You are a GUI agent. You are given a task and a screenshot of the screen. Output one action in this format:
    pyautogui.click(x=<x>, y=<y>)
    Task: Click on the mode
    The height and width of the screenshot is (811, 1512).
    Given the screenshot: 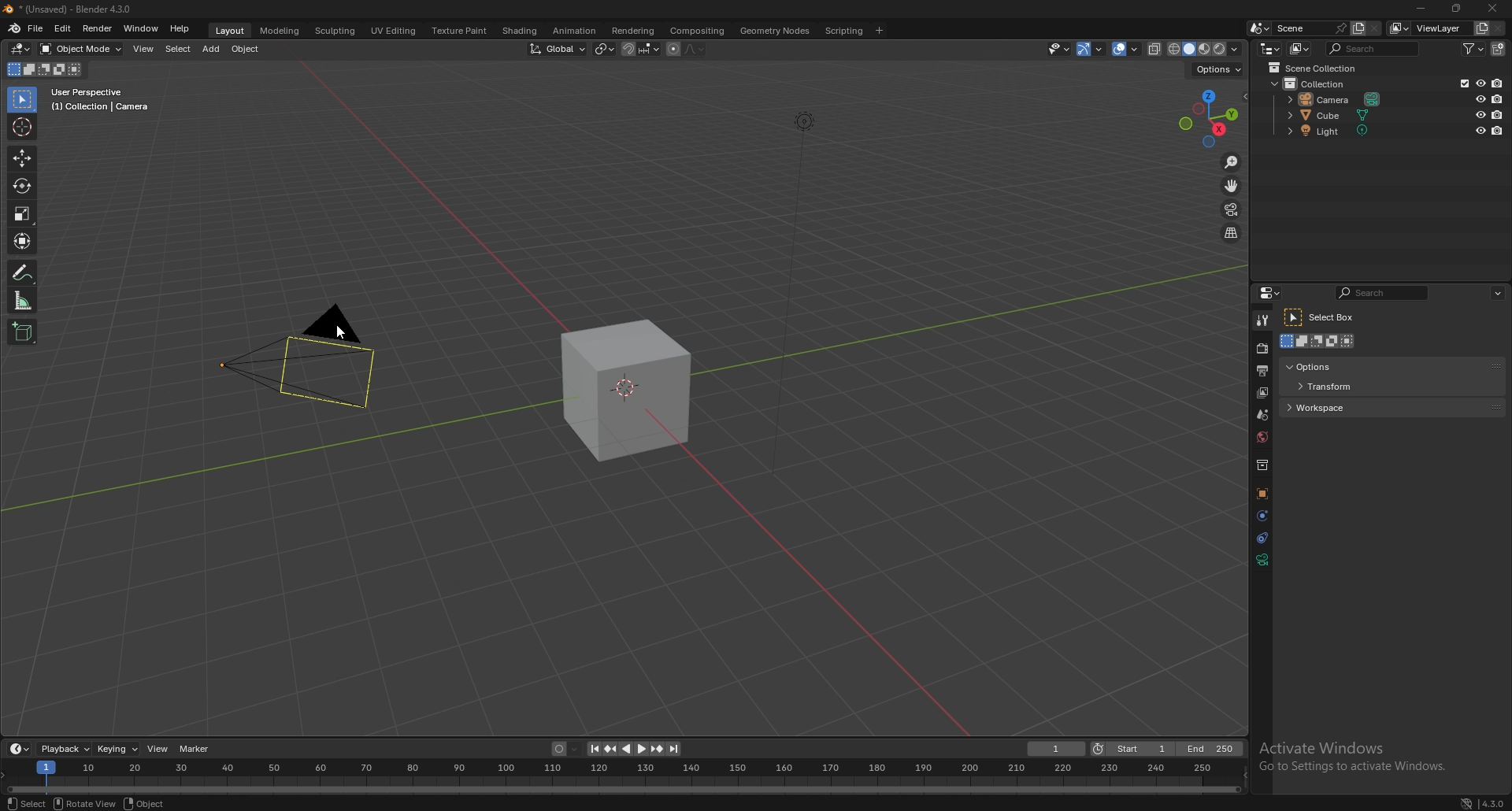 What is the action you would take?
    pyautogui.click(x=44, y=69)
    